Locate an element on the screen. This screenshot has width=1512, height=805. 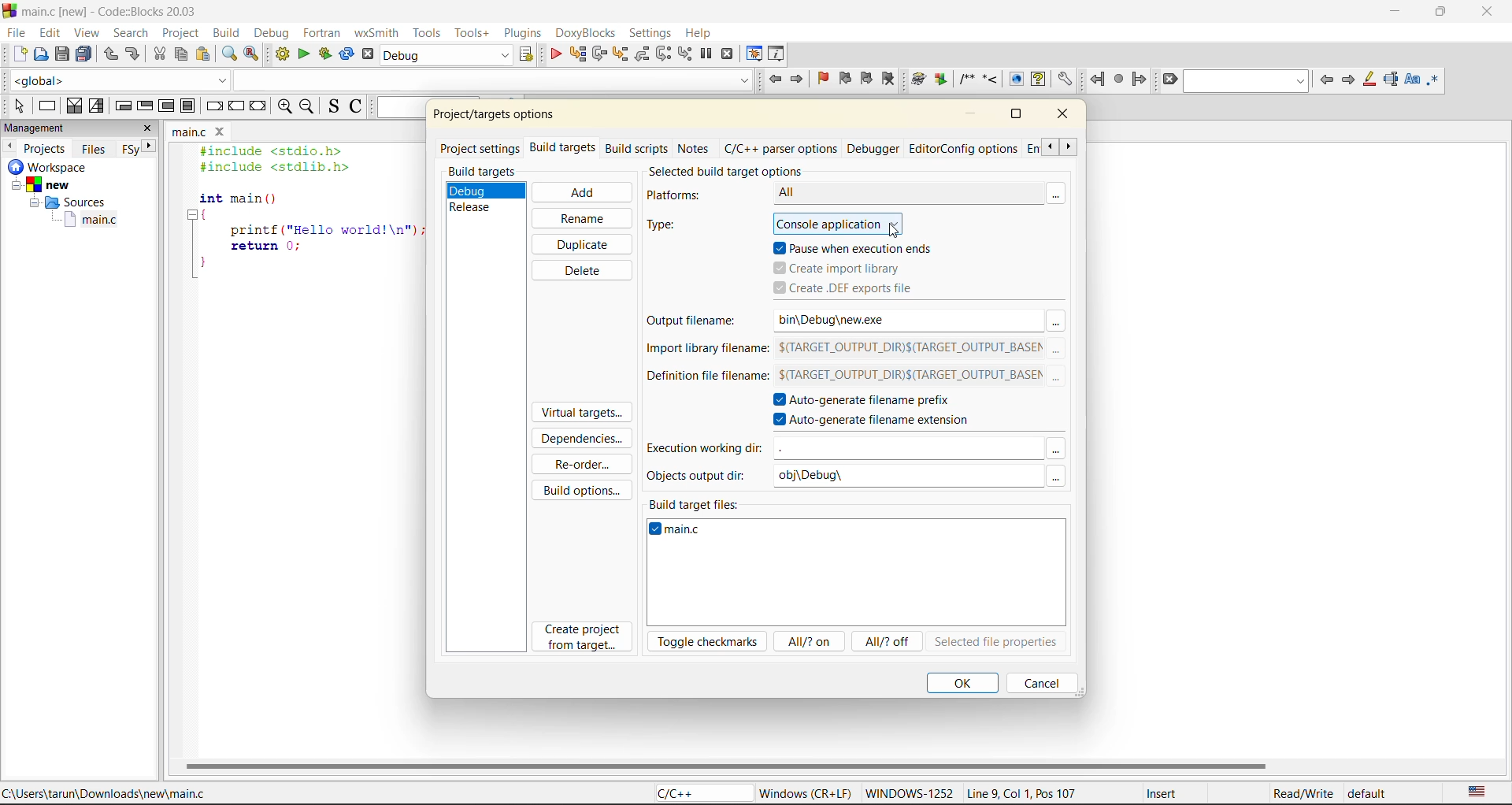
close is located at coordinates (146, 129).